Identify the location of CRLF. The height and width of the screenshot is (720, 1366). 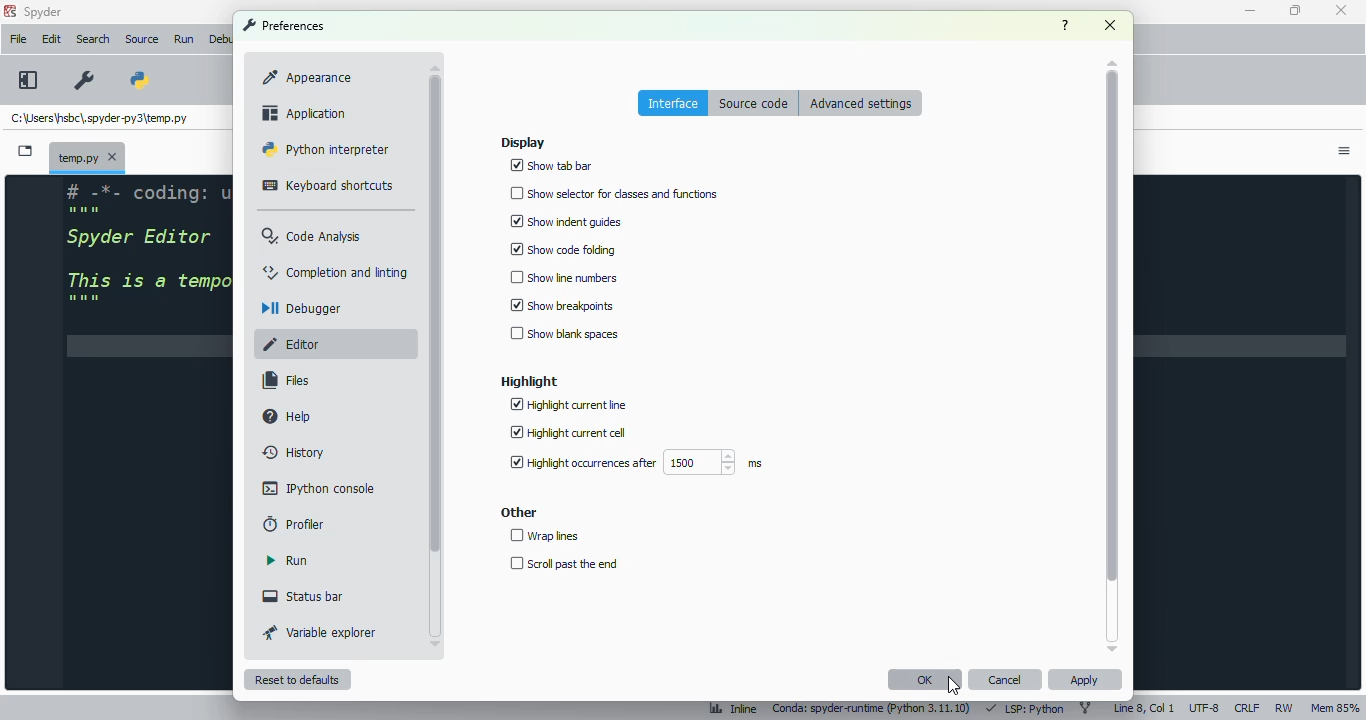
(1248, 707).